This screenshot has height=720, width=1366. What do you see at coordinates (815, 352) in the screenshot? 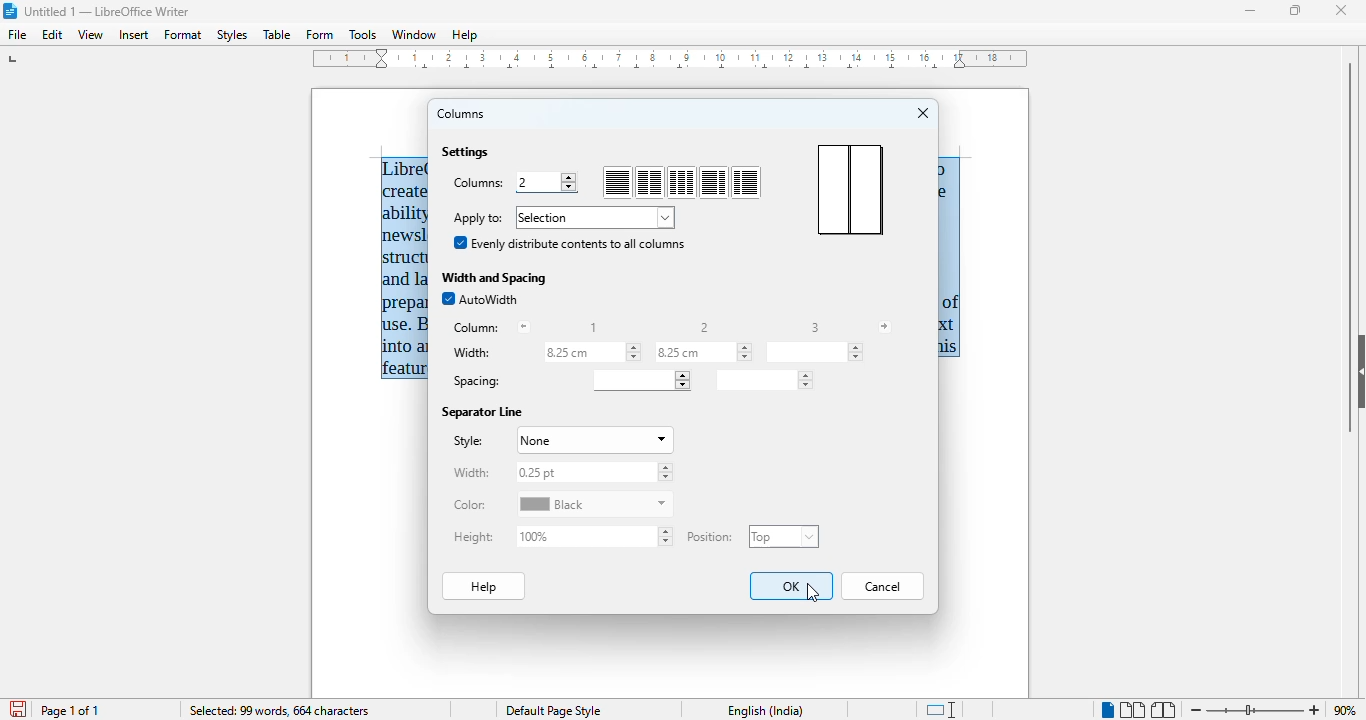
I see `width 3` at bounding box center [815, 352].